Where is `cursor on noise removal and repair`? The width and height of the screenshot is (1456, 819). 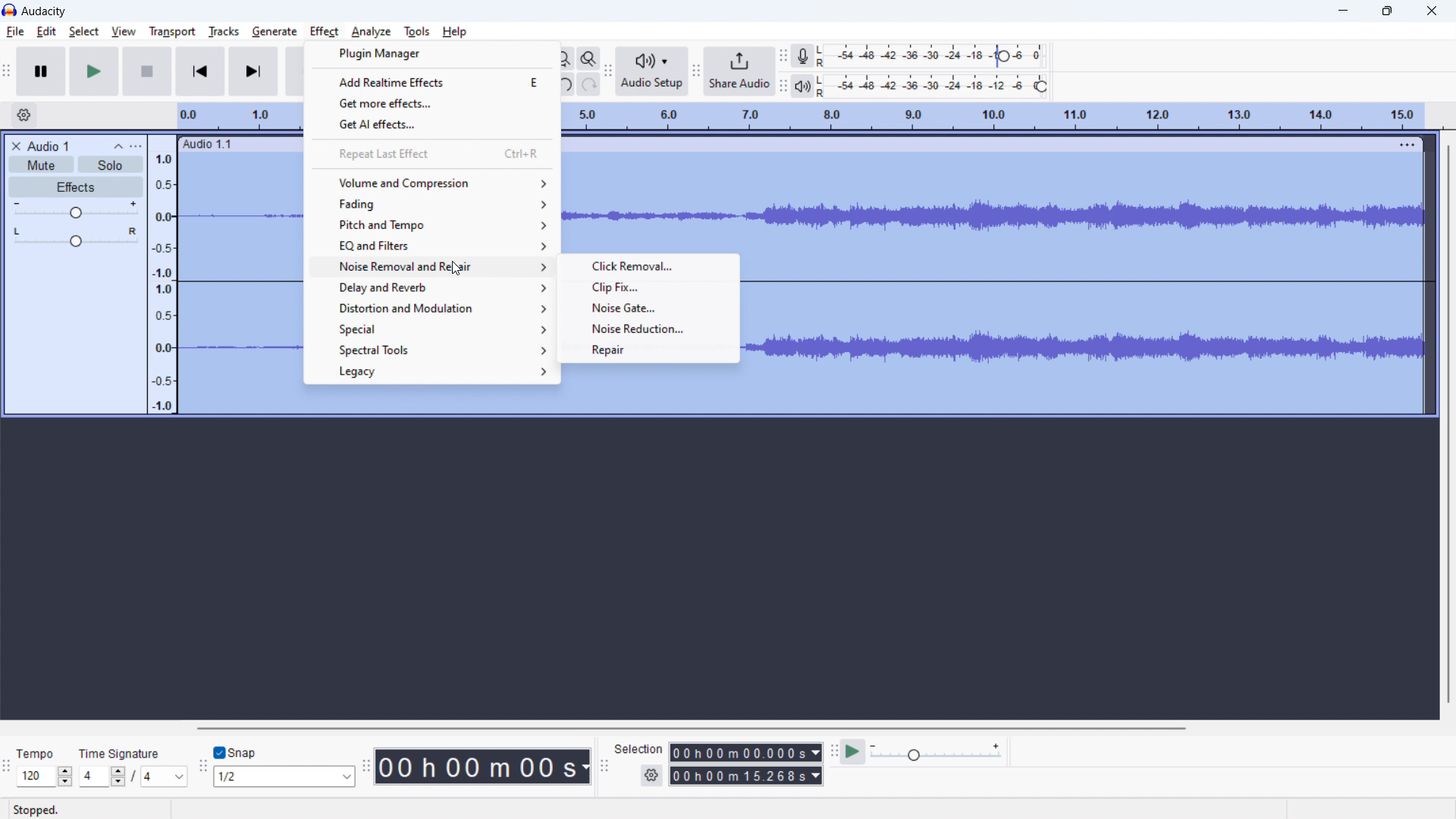 cursor on noise removal and repair is located at coordinates (455, 268).